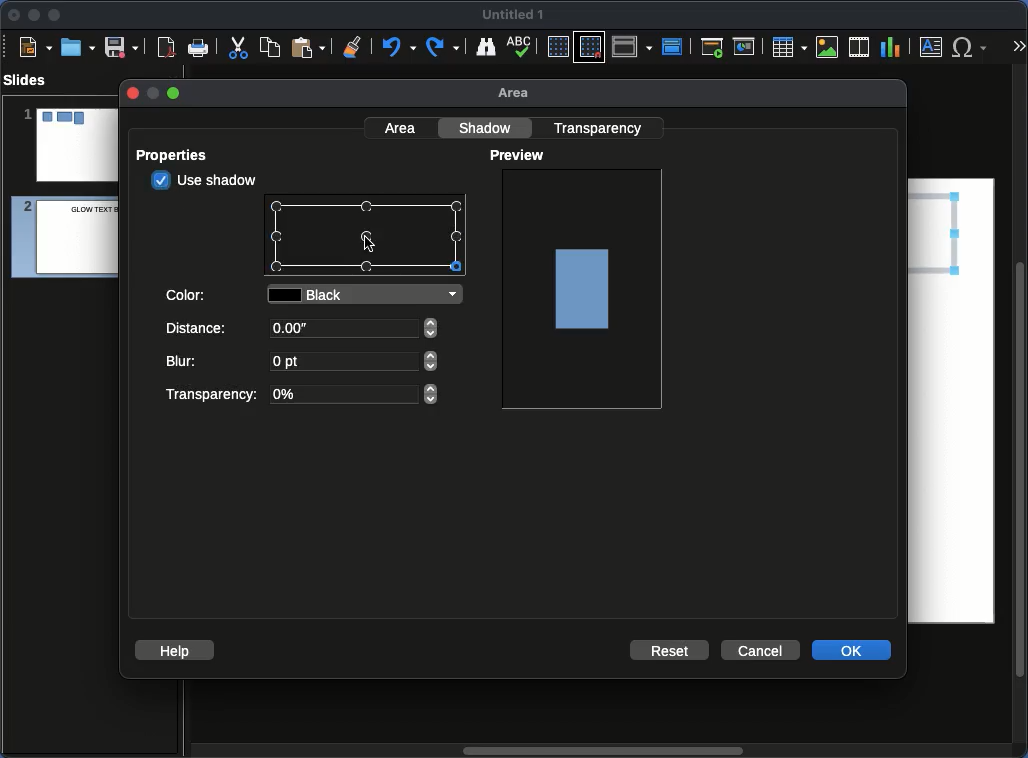  What do you see at coordinates (488, 127) in the screenshot?
I see `Shadow` at bounding box center [488, 127].